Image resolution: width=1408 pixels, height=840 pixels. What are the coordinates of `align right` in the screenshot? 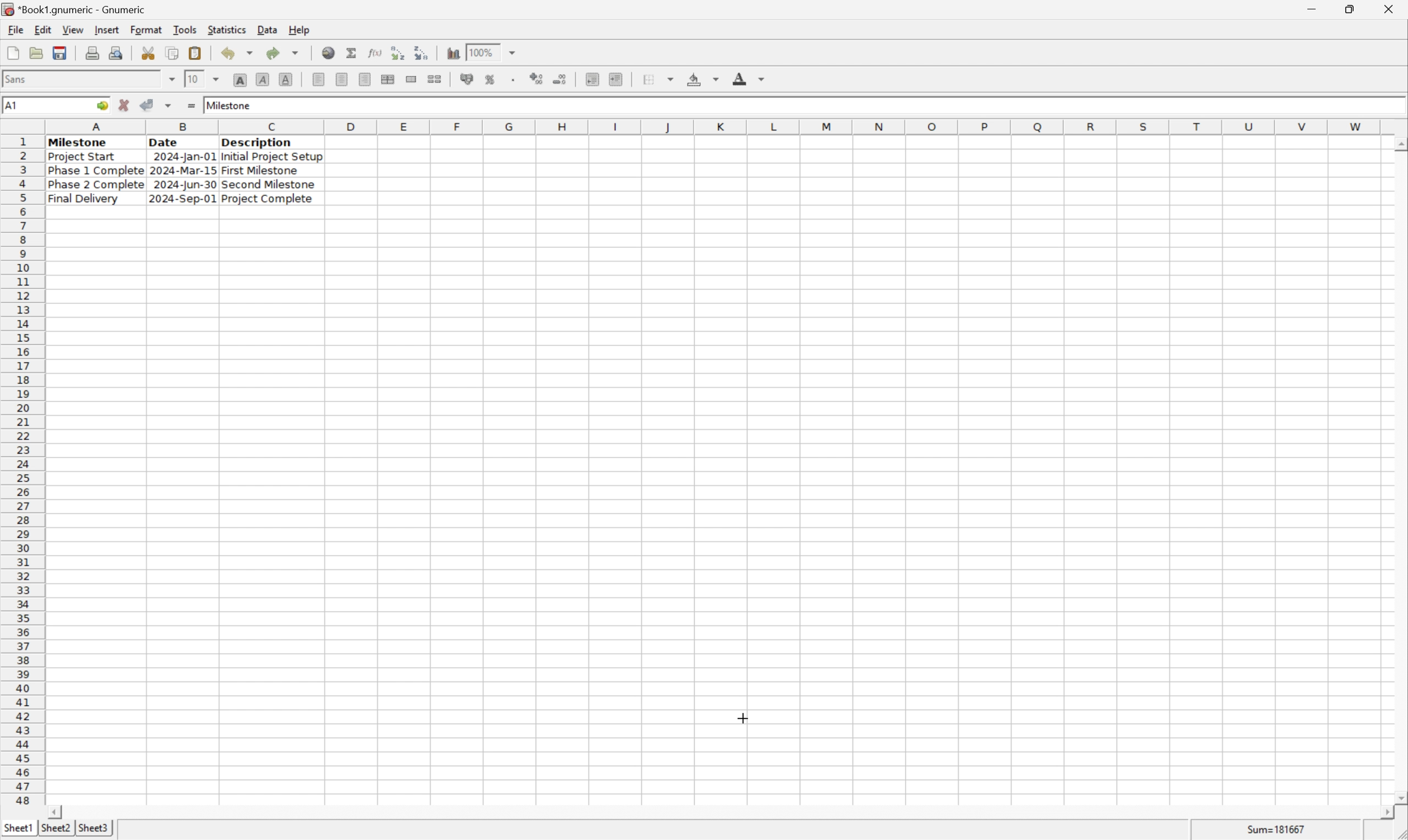 It's located at (363, 80).